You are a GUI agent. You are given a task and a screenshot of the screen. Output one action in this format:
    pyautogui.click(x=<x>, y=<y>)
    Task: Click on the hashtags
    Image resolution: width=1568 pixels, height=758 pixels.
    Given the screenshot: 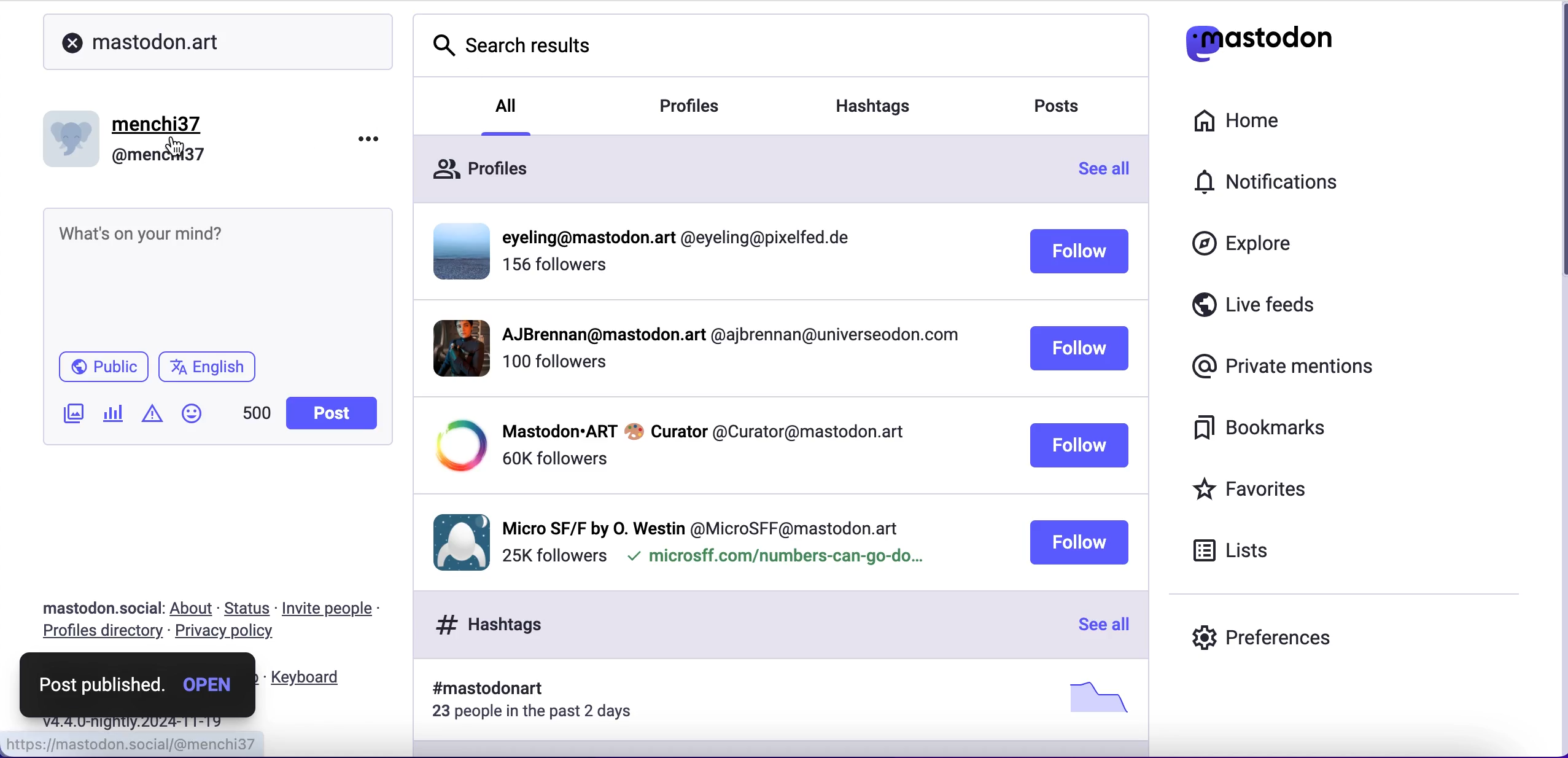 What is the action you would take?
    pyautogui.click(x=491, y=628)
    